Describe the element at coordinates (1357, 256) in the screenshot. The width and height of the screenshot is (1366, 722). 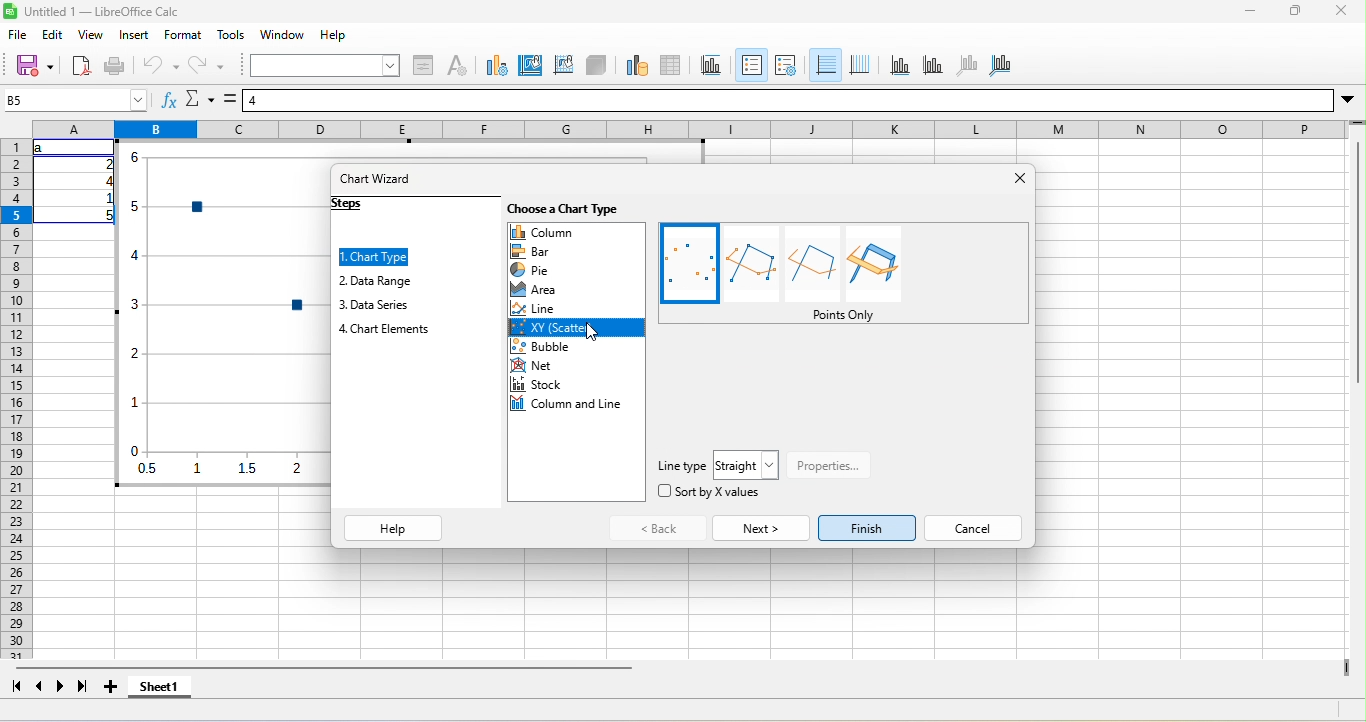
I see `vertical scroll bar` at that location.